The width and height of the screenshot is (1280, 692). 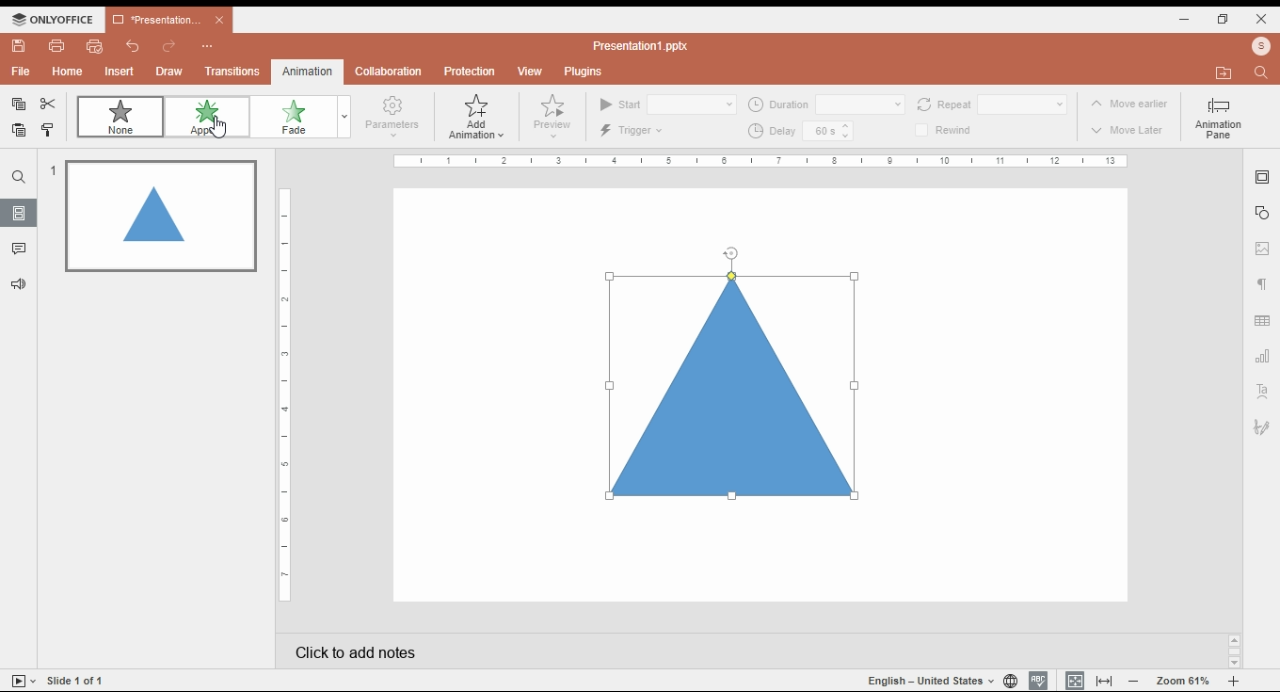 What do you see at coordinates (761, 162) in the screenshot?
I see `scale` at bounding box center [761, 162].